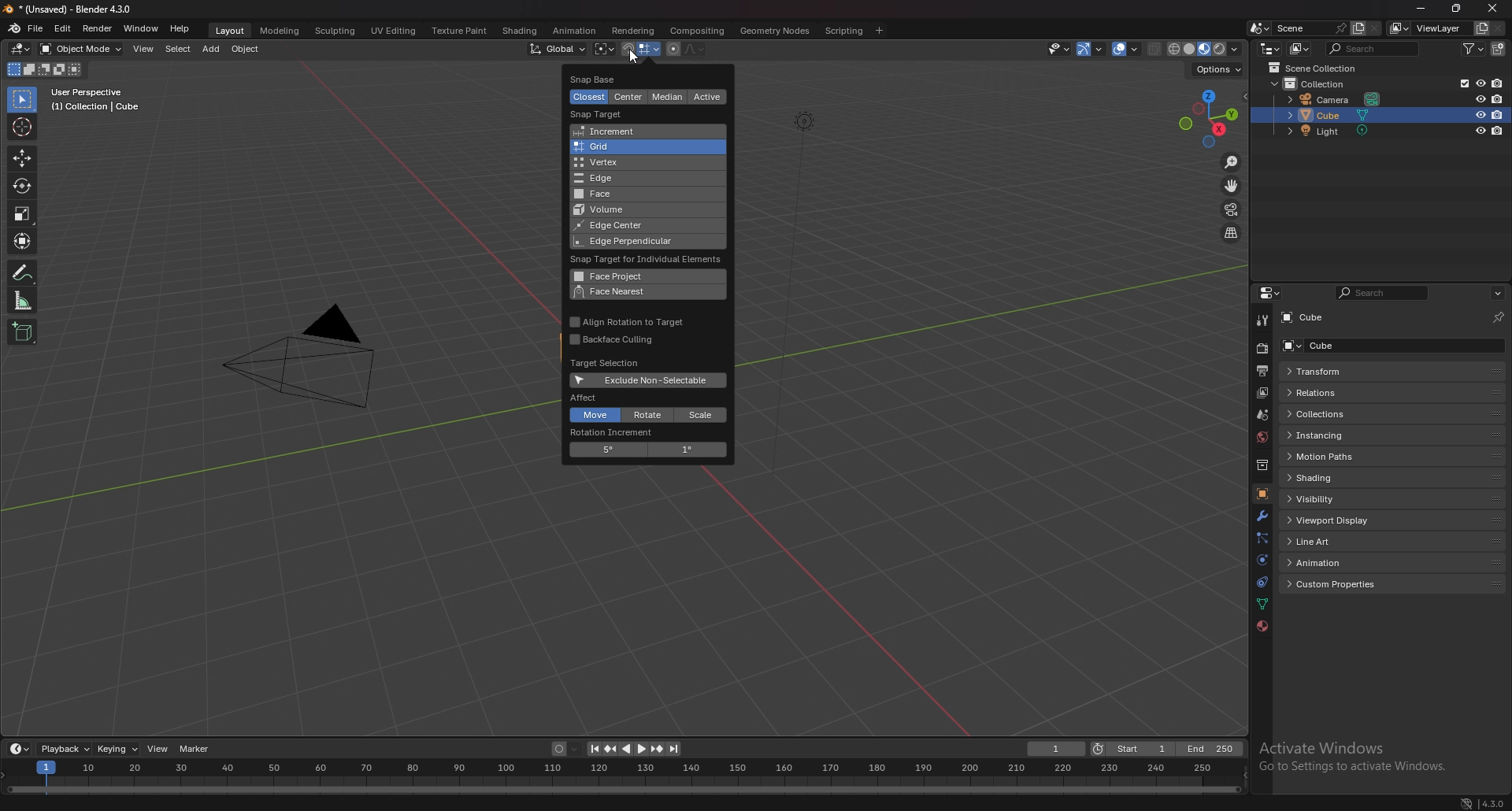 Image resolution: width=1512 pixels, height=811 pixels. I want to click on filter, so click(1473, 48).